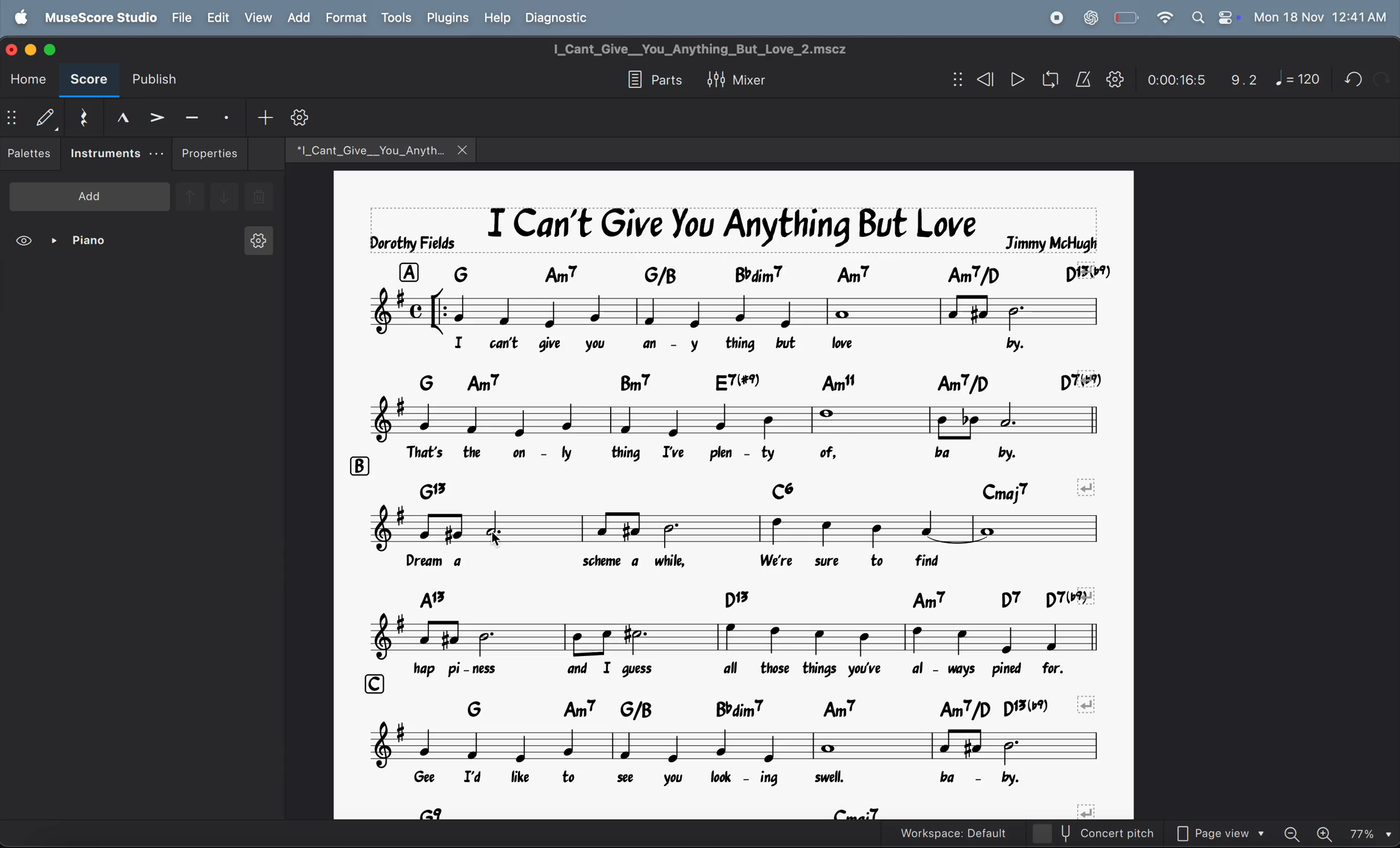  I want to click on chord symbols, so click(782, 274).